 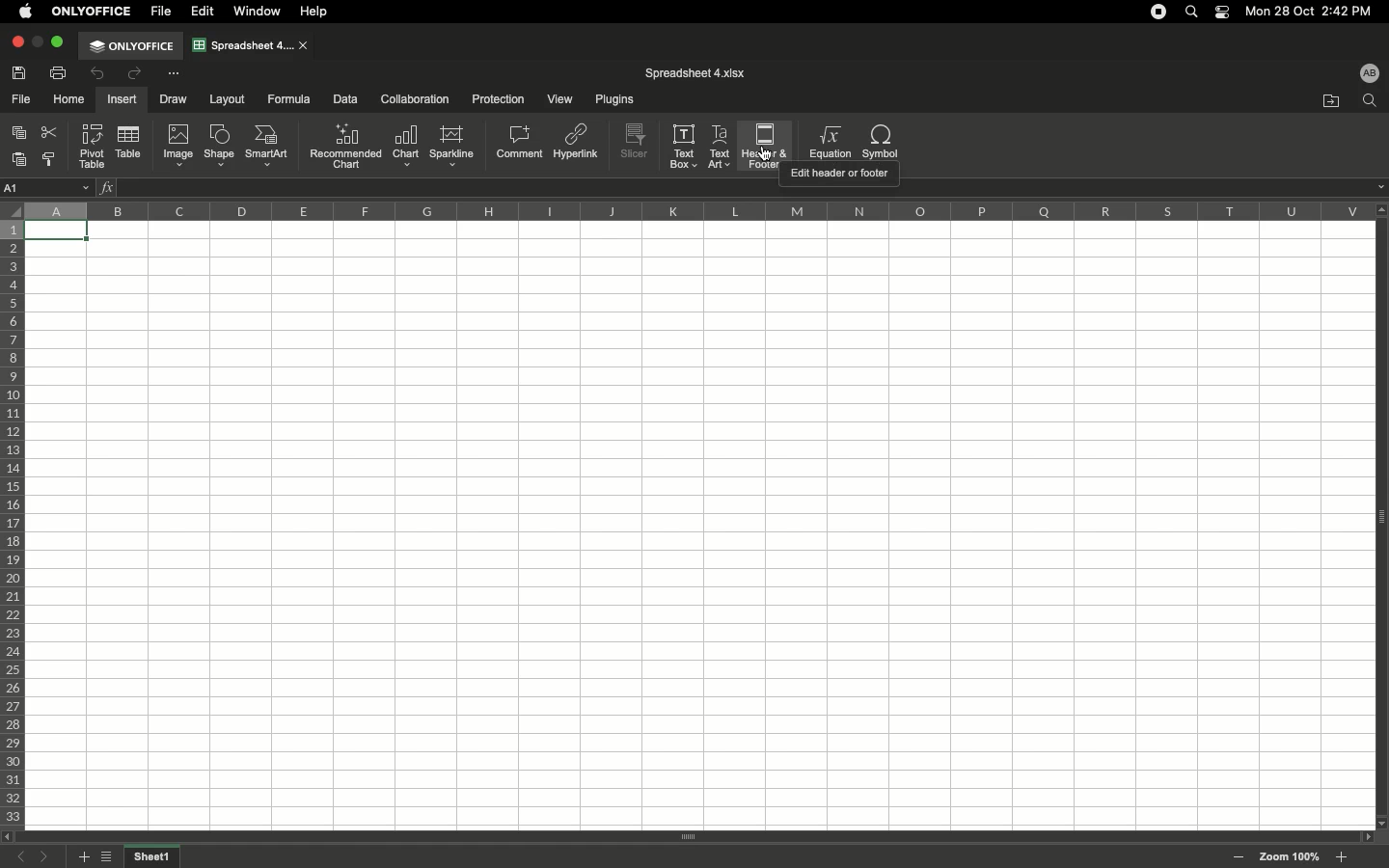 What do you see at coordinates (60, 72) in the screenshot?
I see `Print` at bounding box center [60, 72].